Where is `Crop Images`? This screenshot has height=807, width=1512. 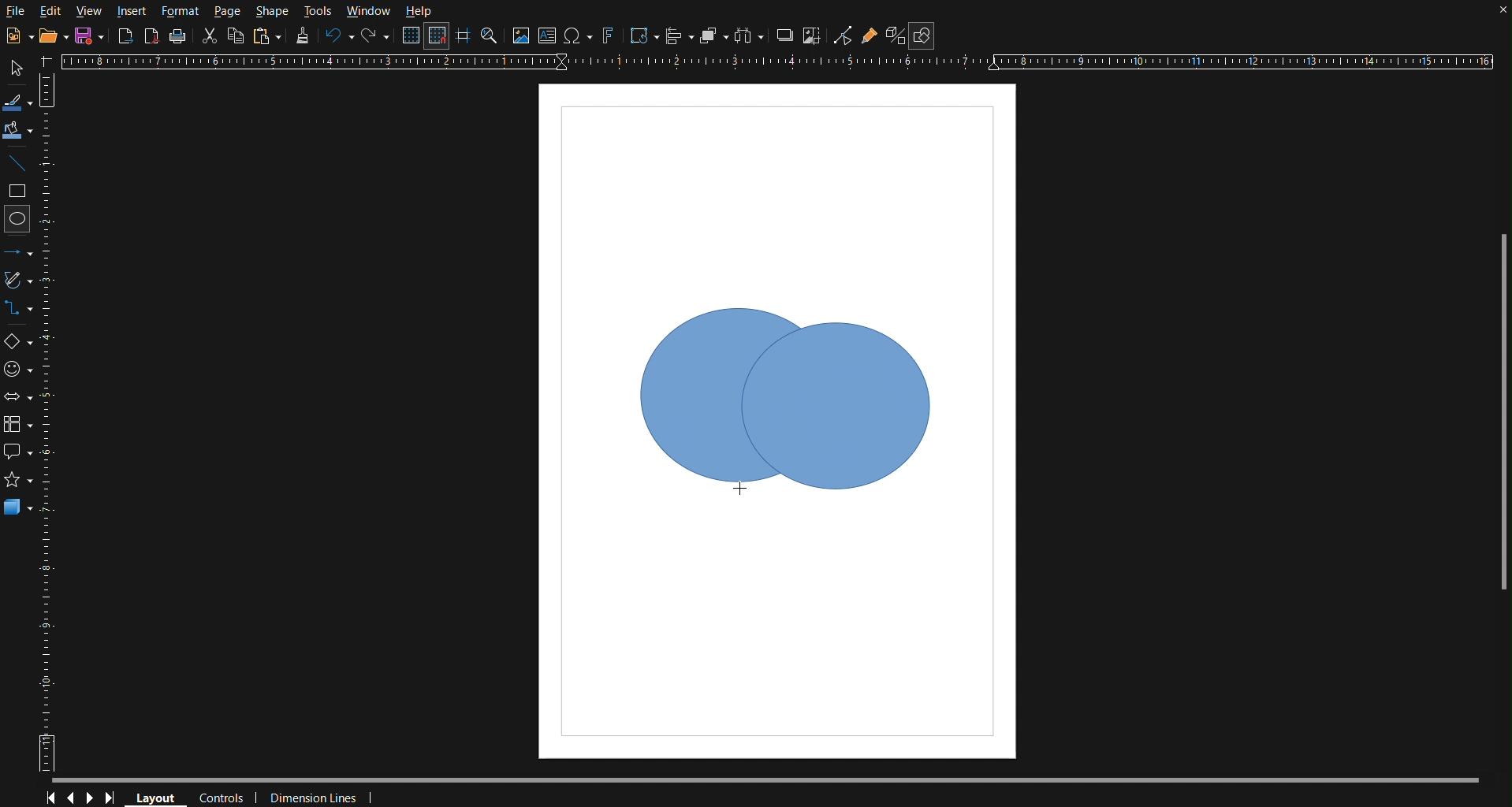 Crop Images is located at coordinates (814, 36).